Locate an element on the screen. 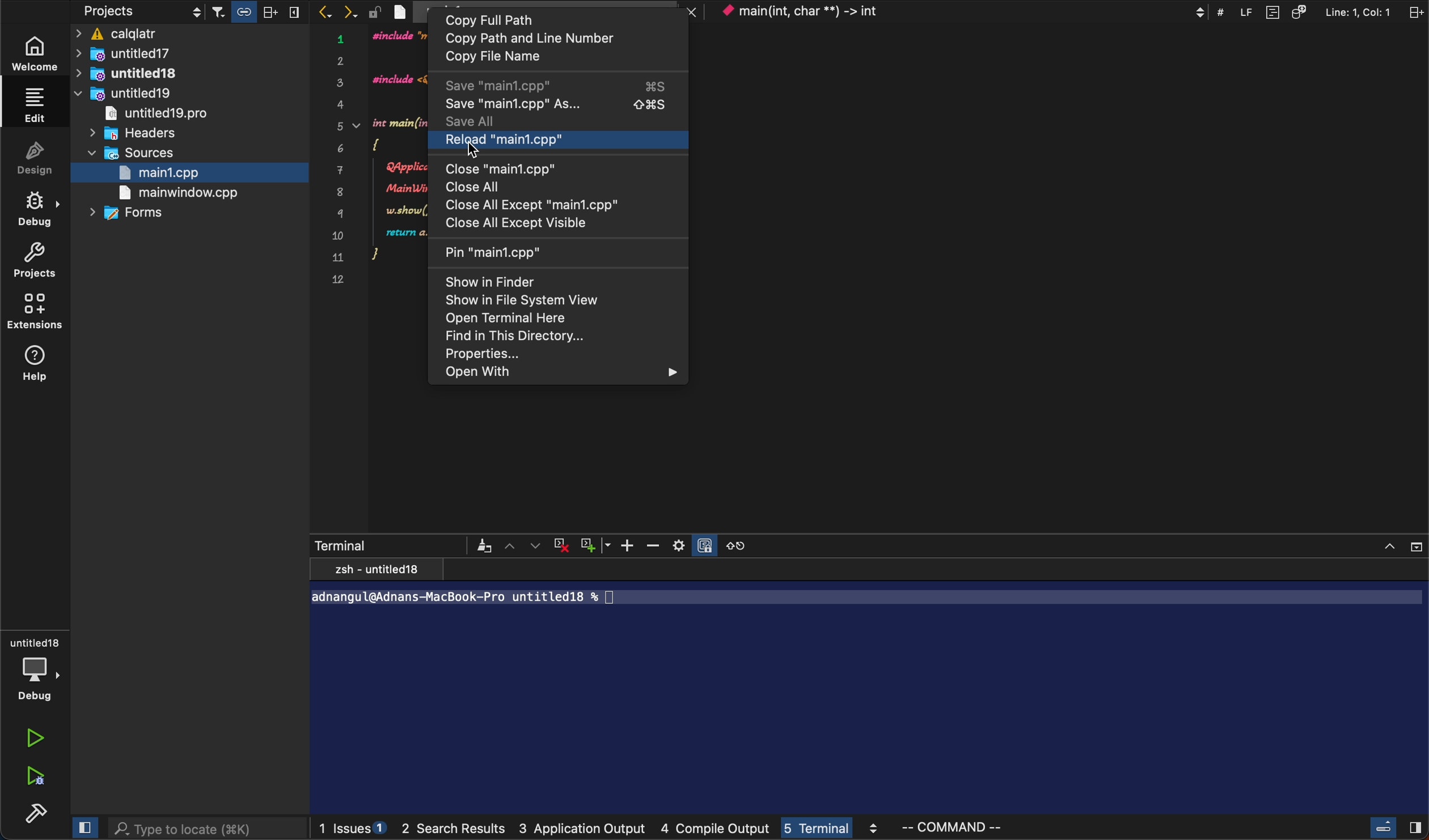 Image resolution: width=1429 pixels, height=840 pixels. zoom out is located at coordinates (656, 546).